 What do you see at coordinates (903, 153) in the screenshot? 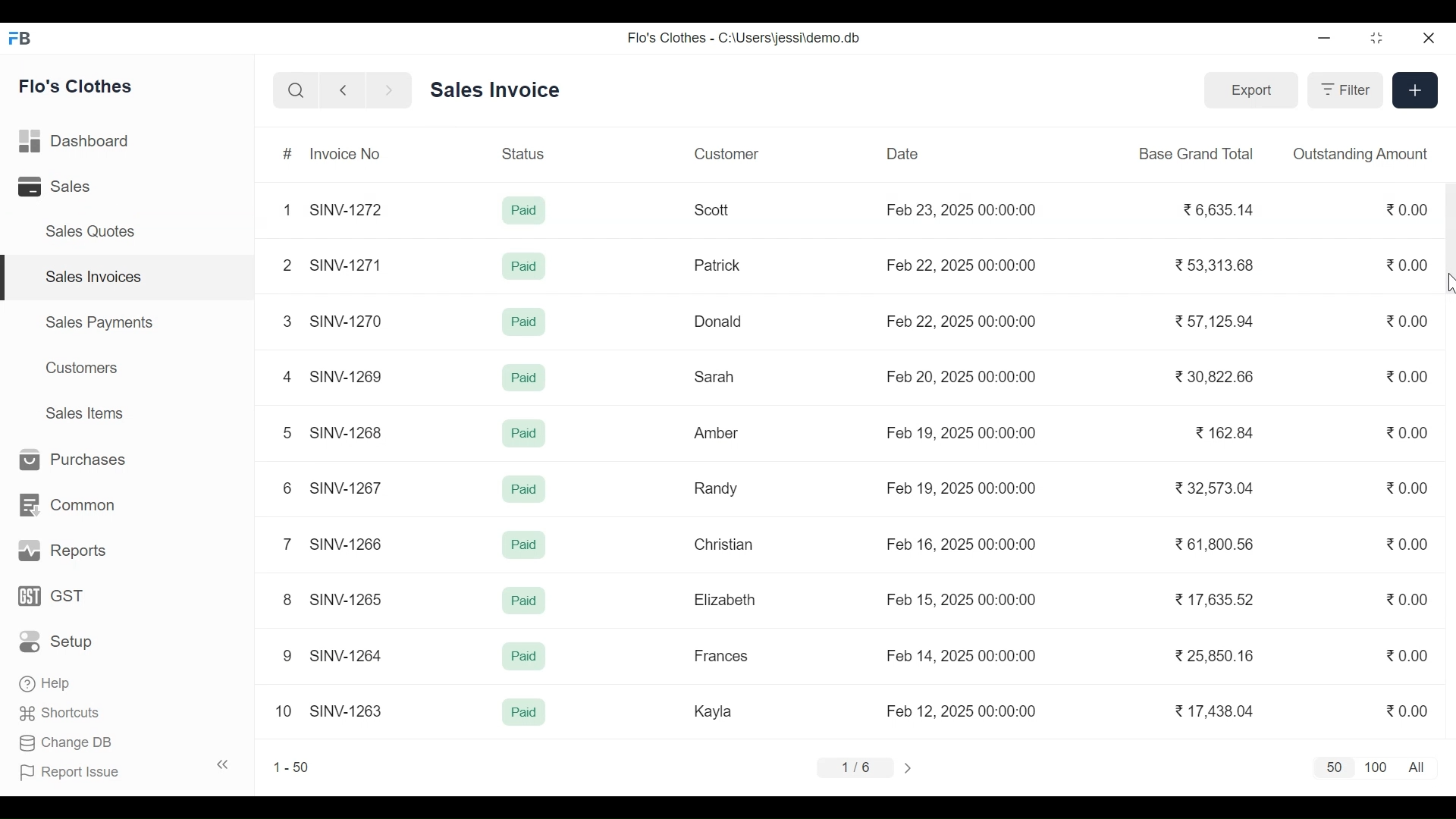
I see `Date` at bounding box center [903, 153].